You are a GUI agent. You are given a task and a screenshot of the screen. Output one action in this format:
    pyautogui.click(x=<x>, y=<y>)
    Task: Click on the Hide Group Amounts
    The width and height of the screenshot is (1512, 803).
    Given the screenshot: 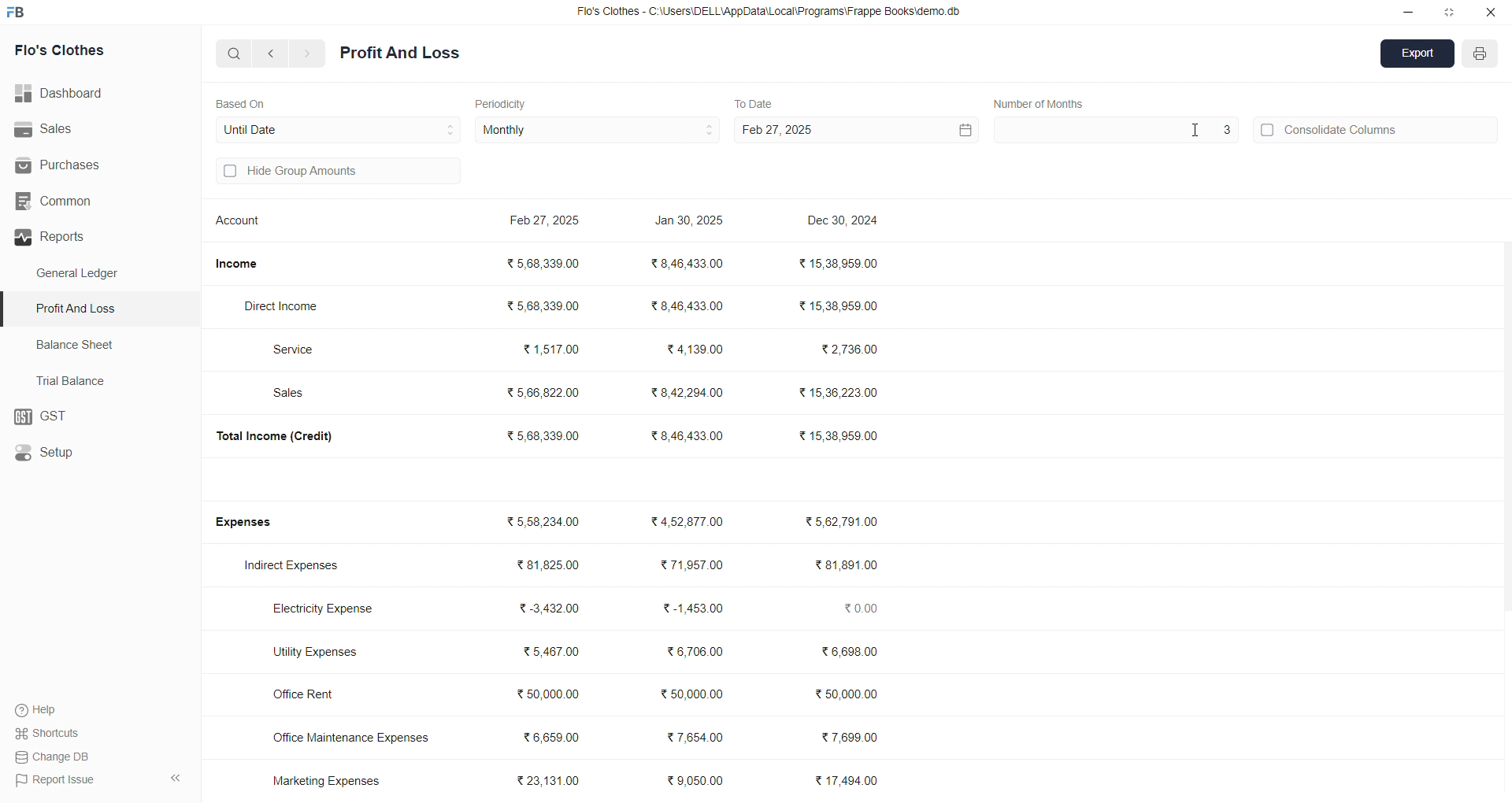 What is the action you would take?
    pyautogui.click(x=335, y=172)
    